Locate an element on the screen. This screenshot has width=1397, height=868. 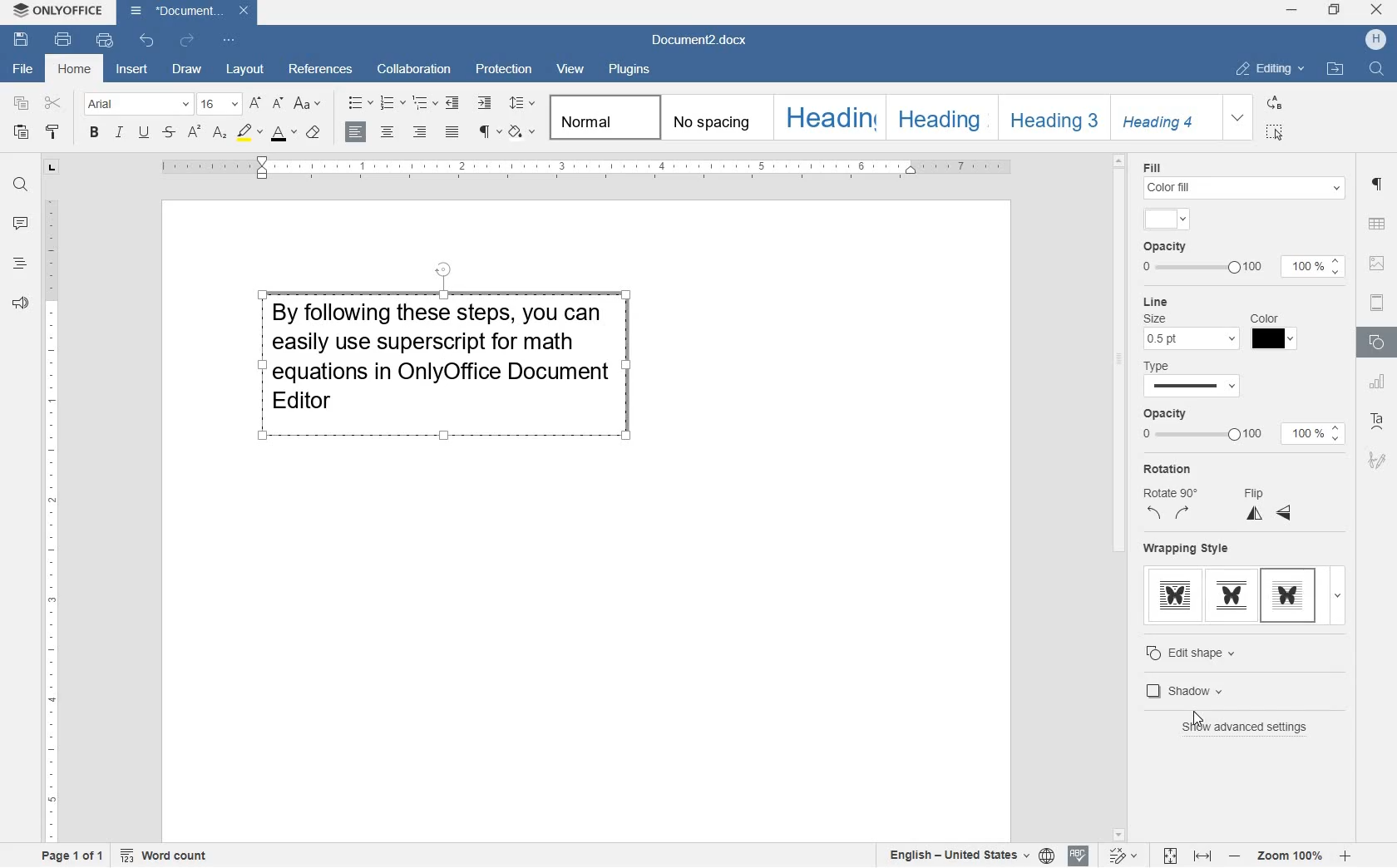
headers & footers is located at coordinates (1377, 305).